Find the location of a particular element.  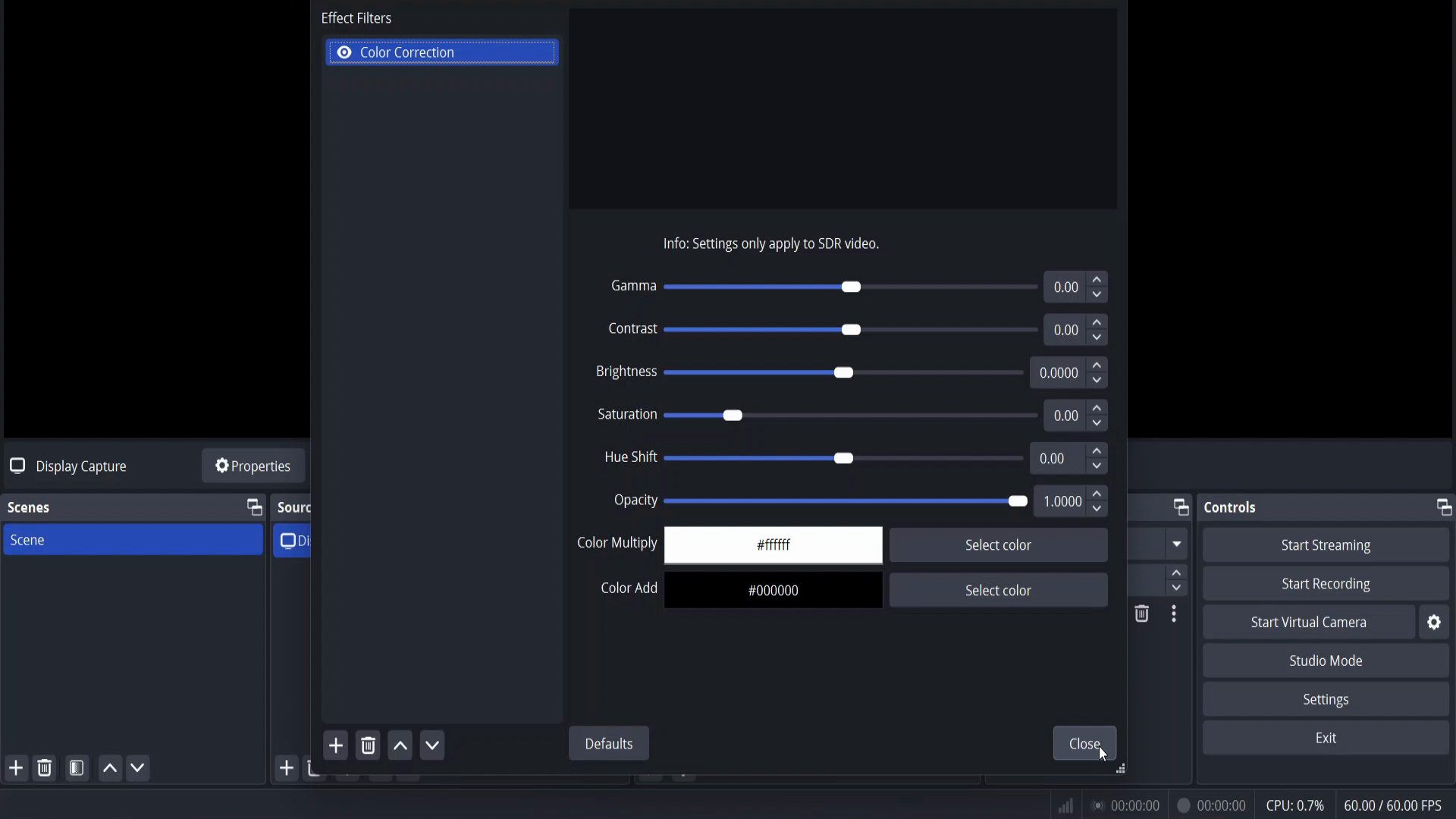

start virtual camera is located at coordinates (1310, 623).